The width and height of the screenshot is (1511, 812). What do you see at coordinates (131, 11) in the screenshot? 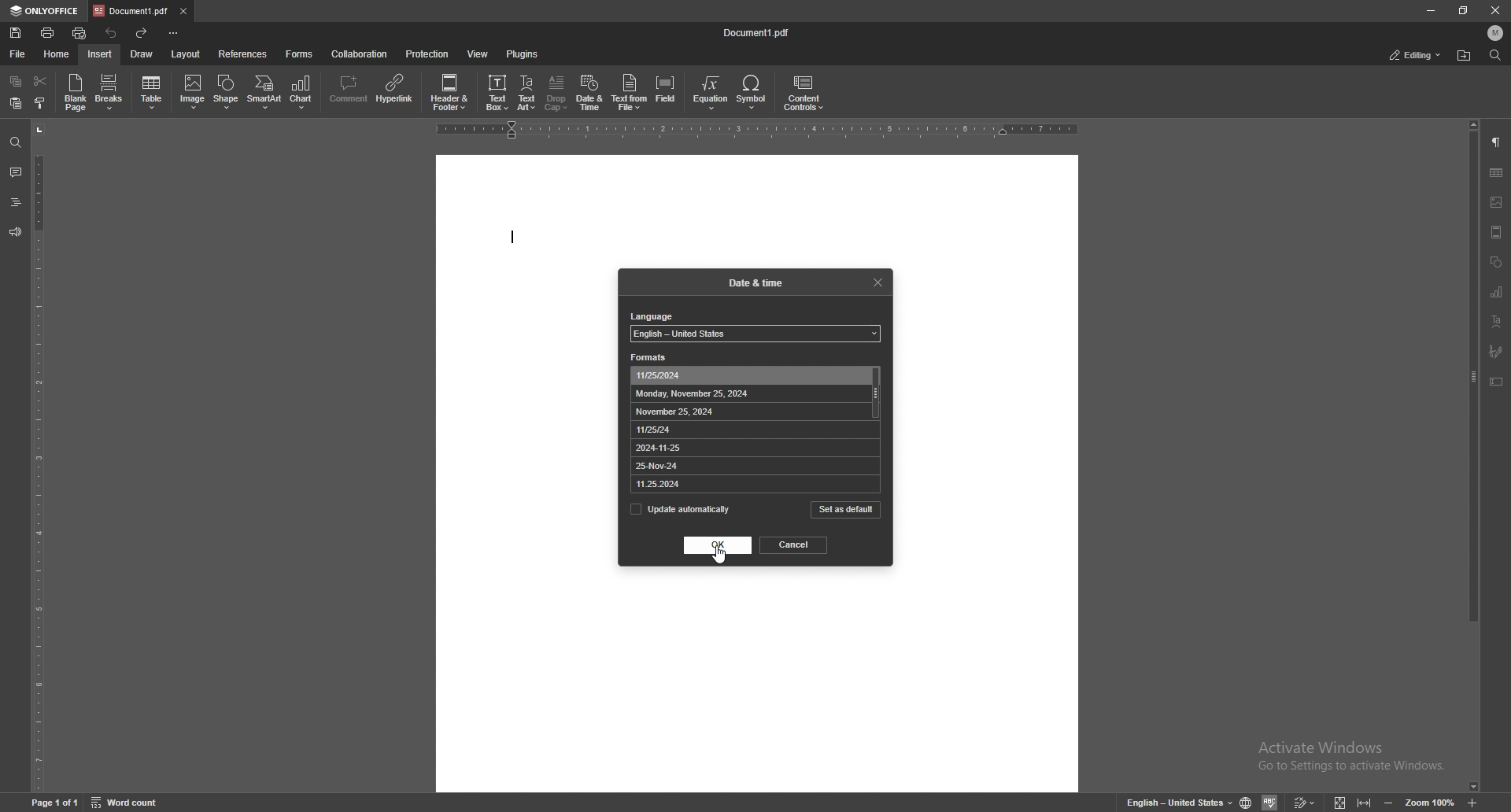
I see `tab` at bounding box center [131, 11].